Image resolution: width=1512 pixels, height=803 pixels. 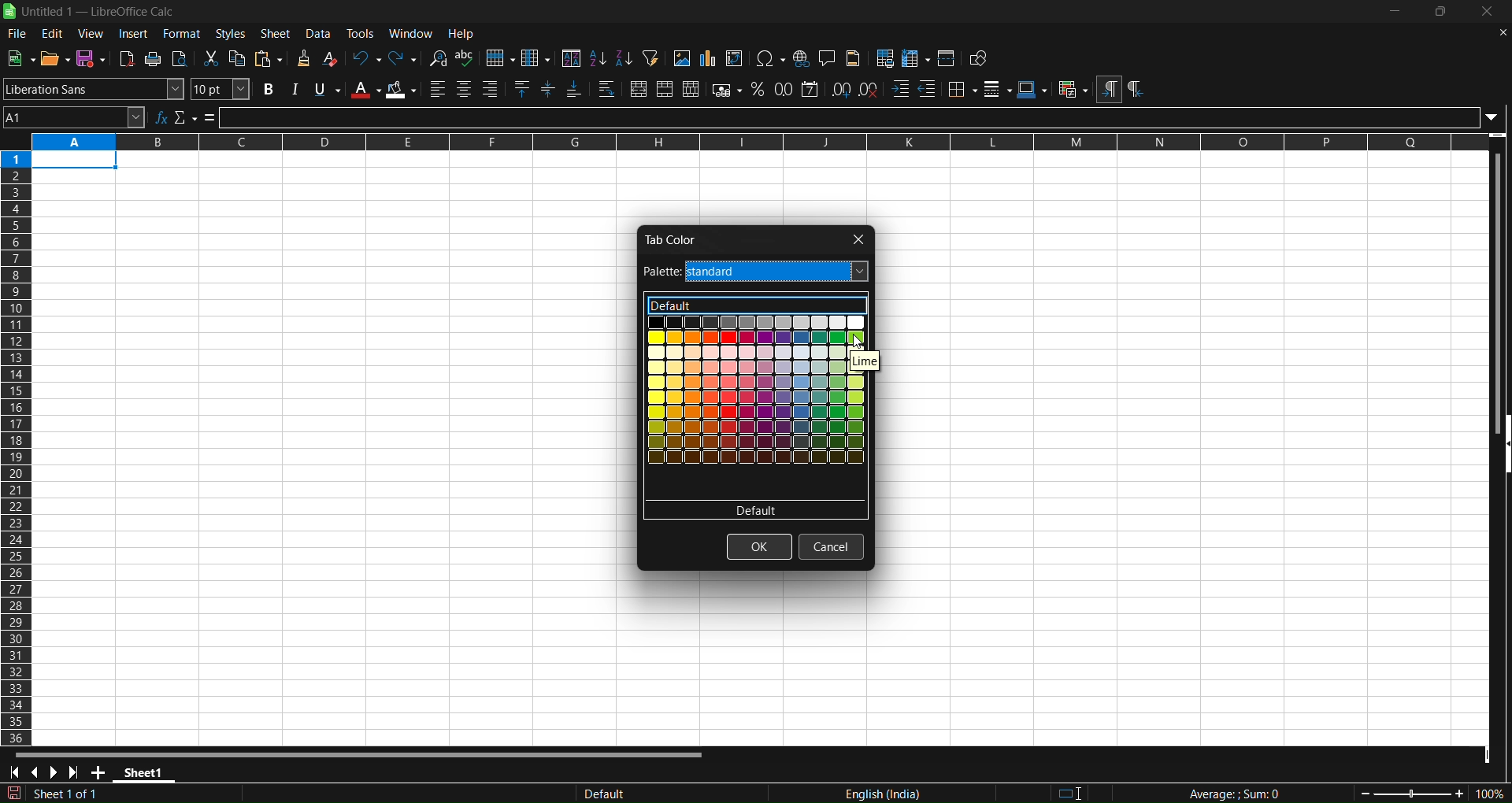 What do you see at coordinates (1108, 90) in the screenshot?
I see `left to right` at bounding box center [1108, 90].